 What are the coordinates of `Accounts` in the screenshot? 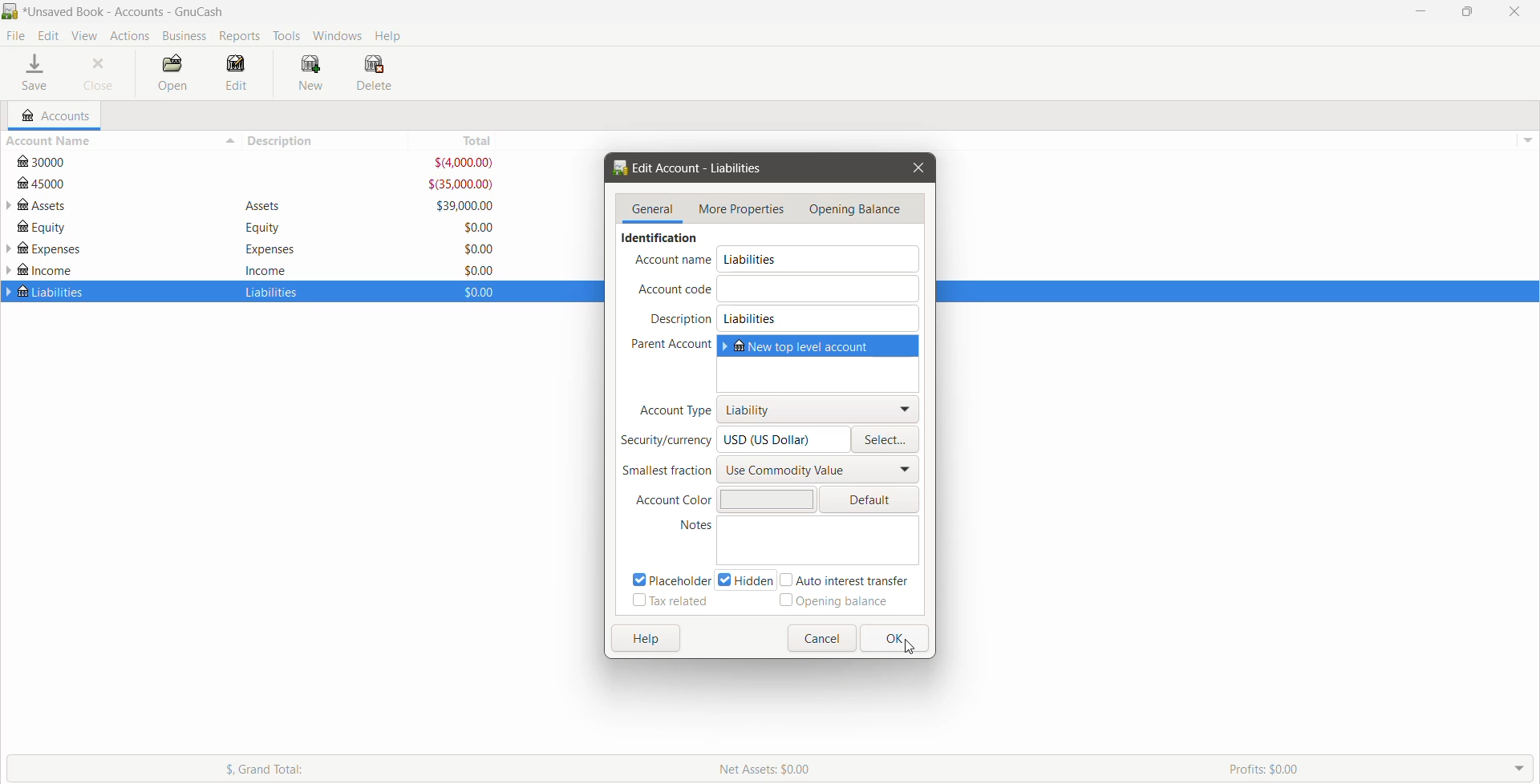 It's located at (128, 35).